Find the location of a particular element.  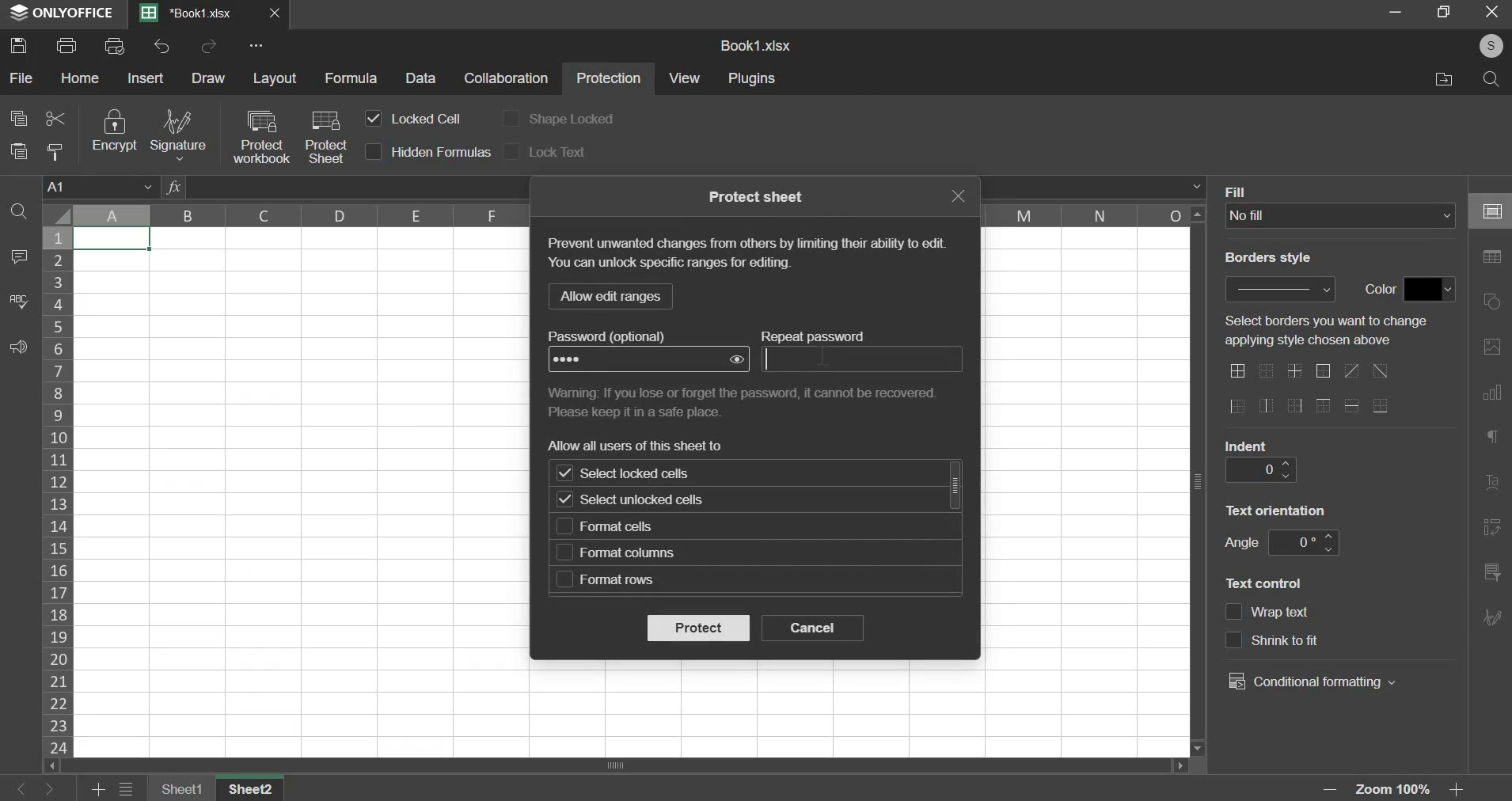

text is located at coordinates (617, 336).